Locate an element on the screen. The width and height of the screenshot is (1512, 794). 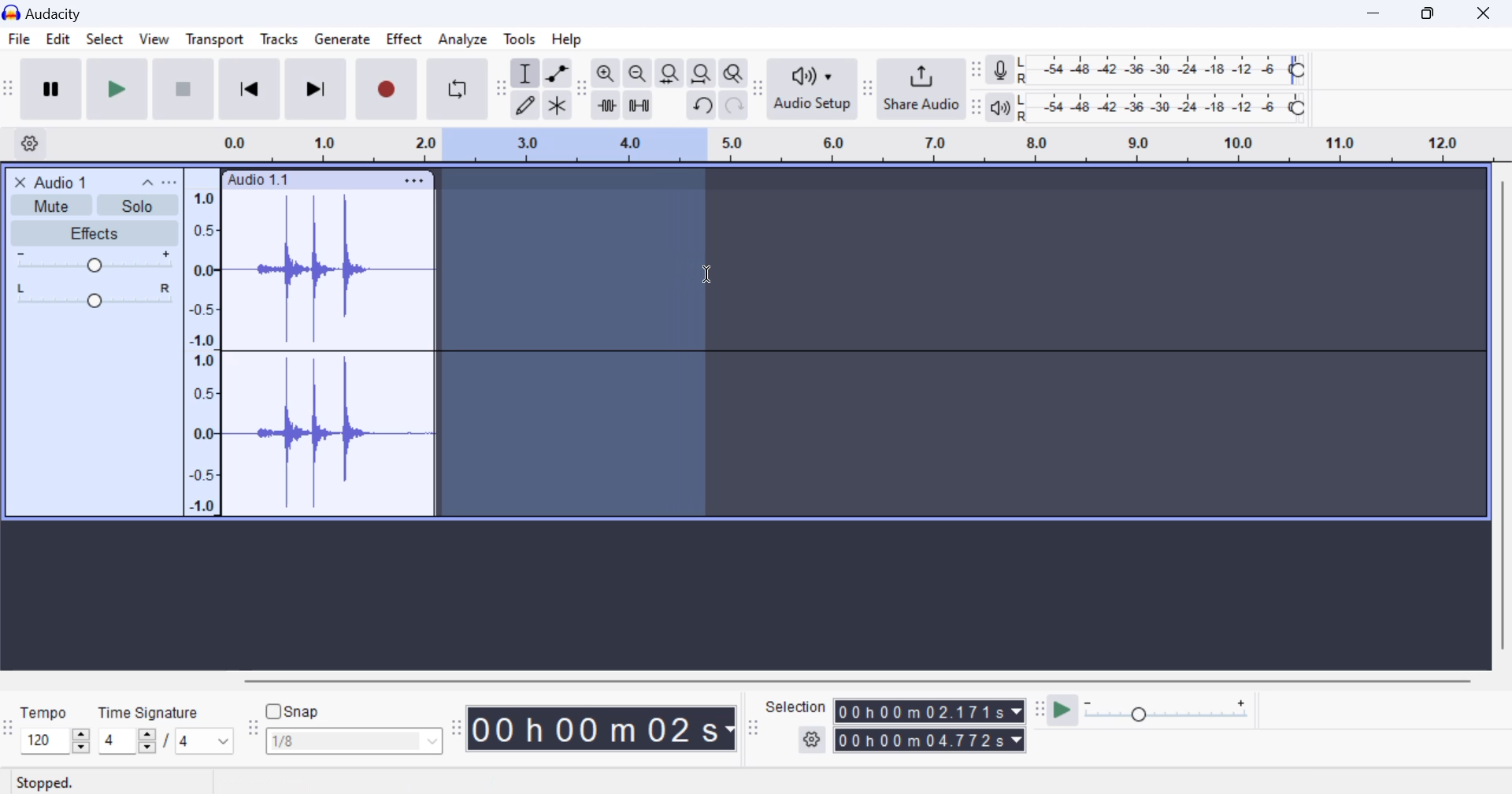
Tracks is located at coordinates (280, 43).